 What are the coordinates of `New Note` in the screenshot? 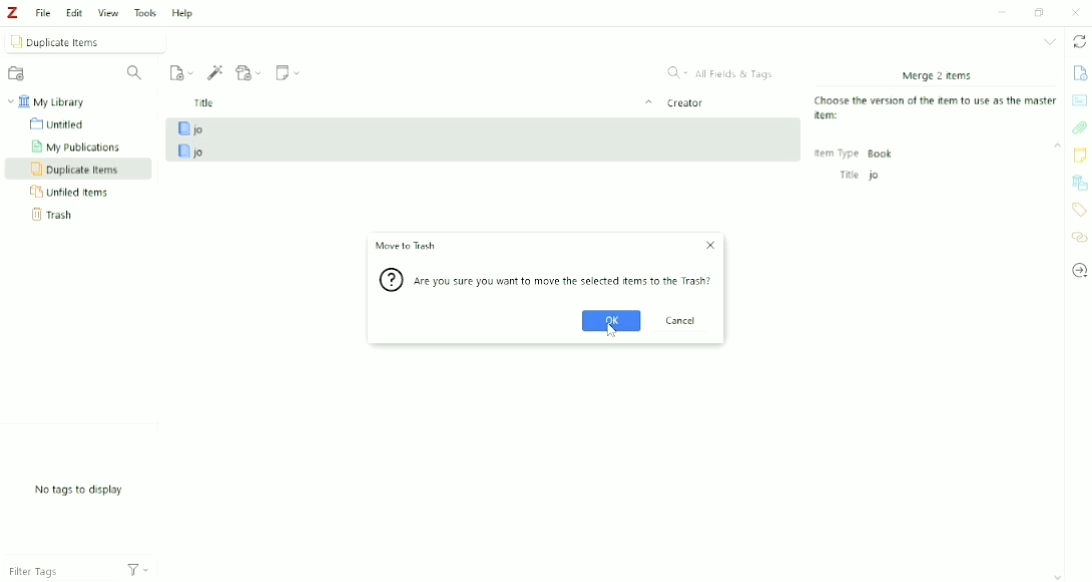 It's located at (290, 72).